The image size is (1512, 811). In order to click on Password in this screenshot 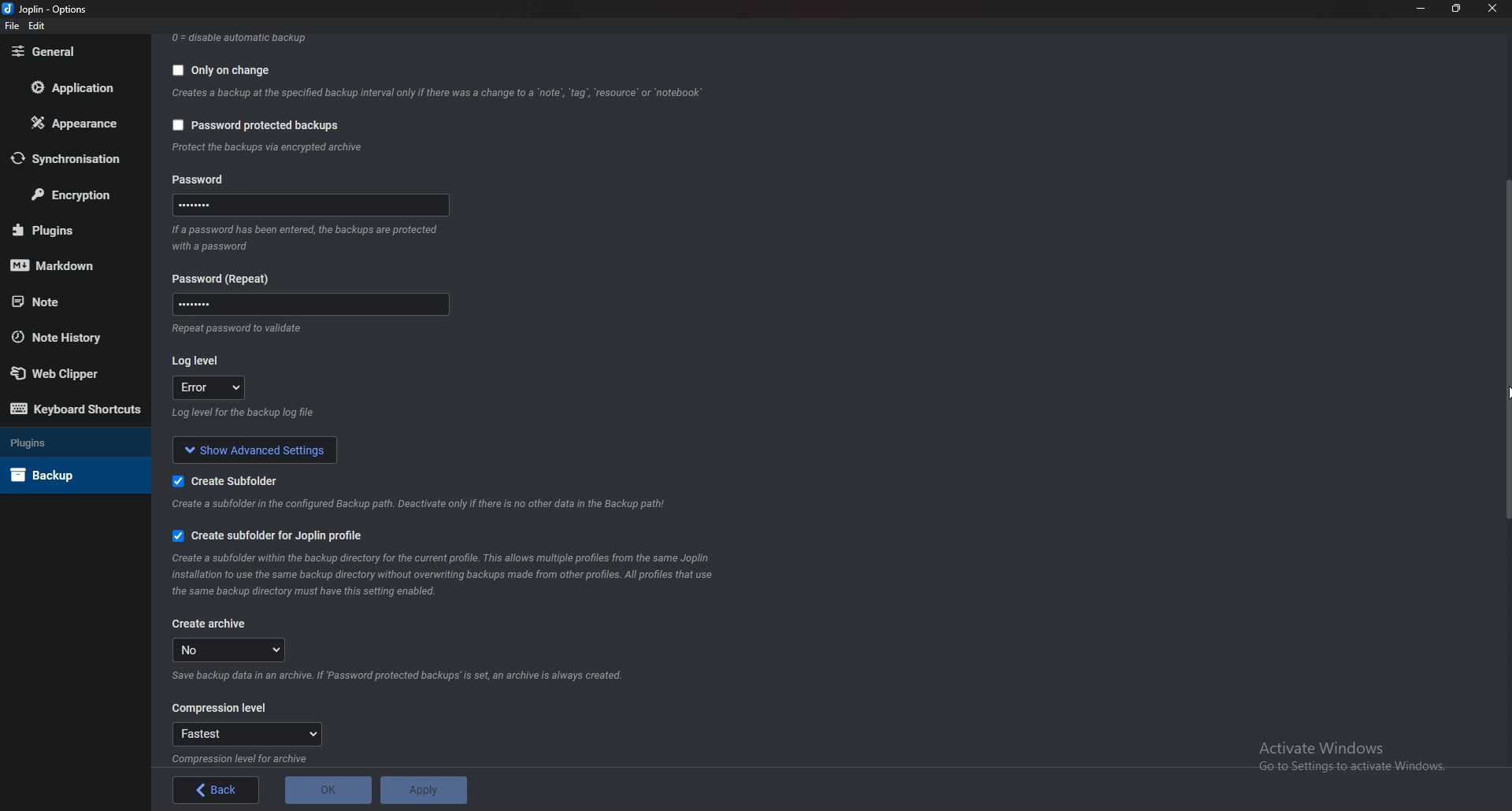, I will do `click(224, 277)`.